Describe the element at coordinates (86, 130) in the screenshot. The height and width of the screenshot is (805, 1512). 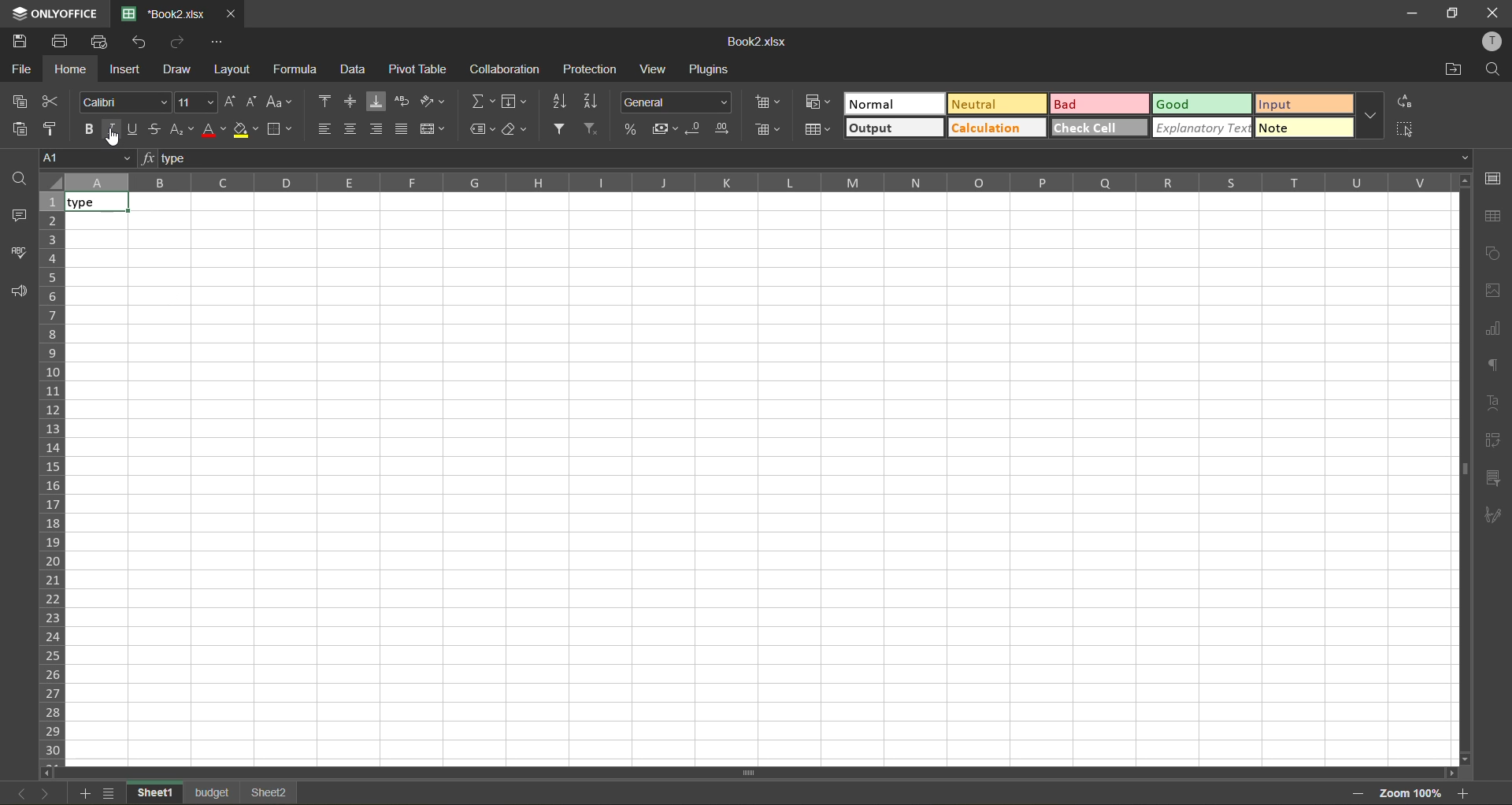
I see `bold` at that location.